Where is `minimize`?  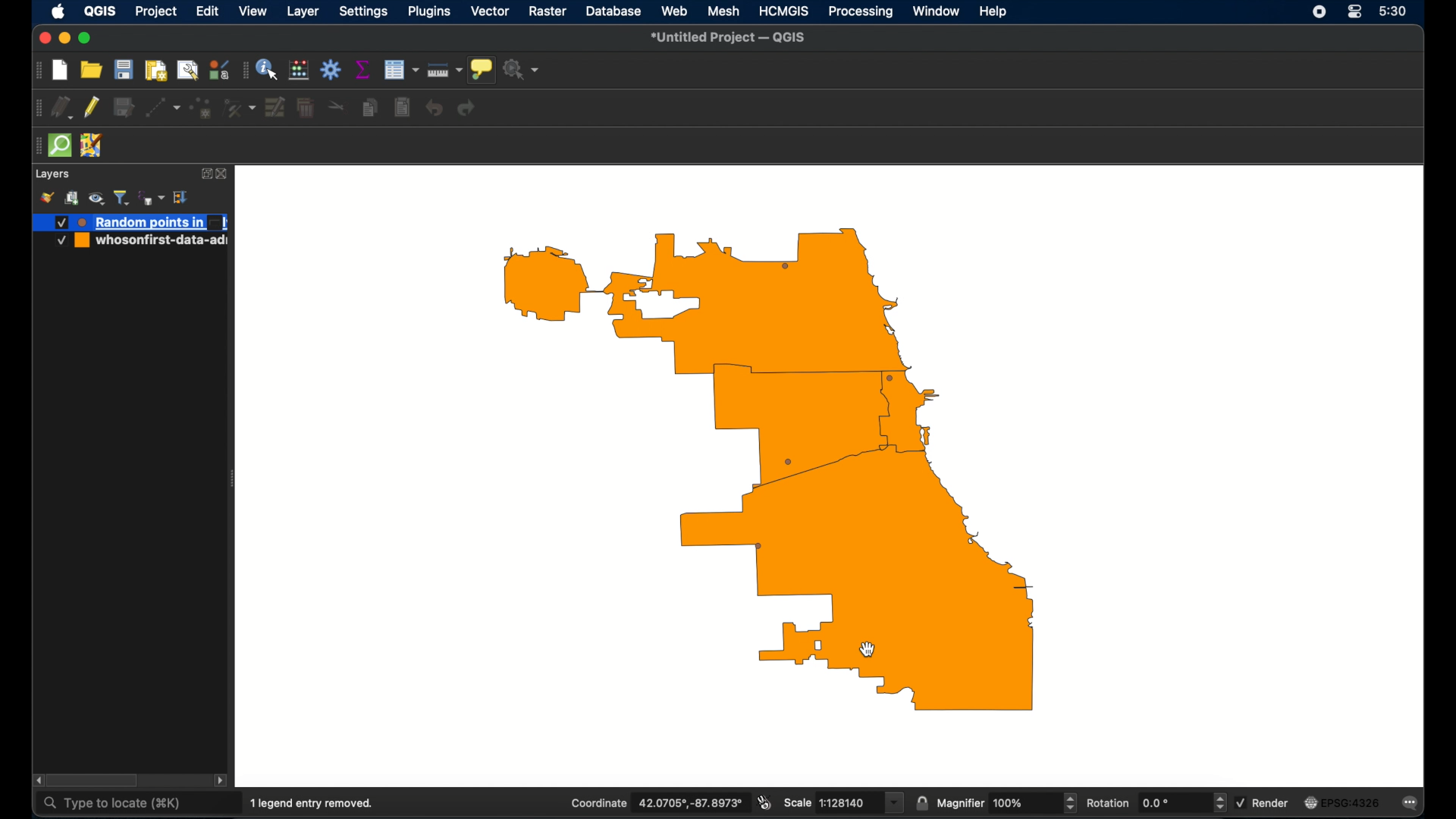
minimize is located at coordinates (65, 38).